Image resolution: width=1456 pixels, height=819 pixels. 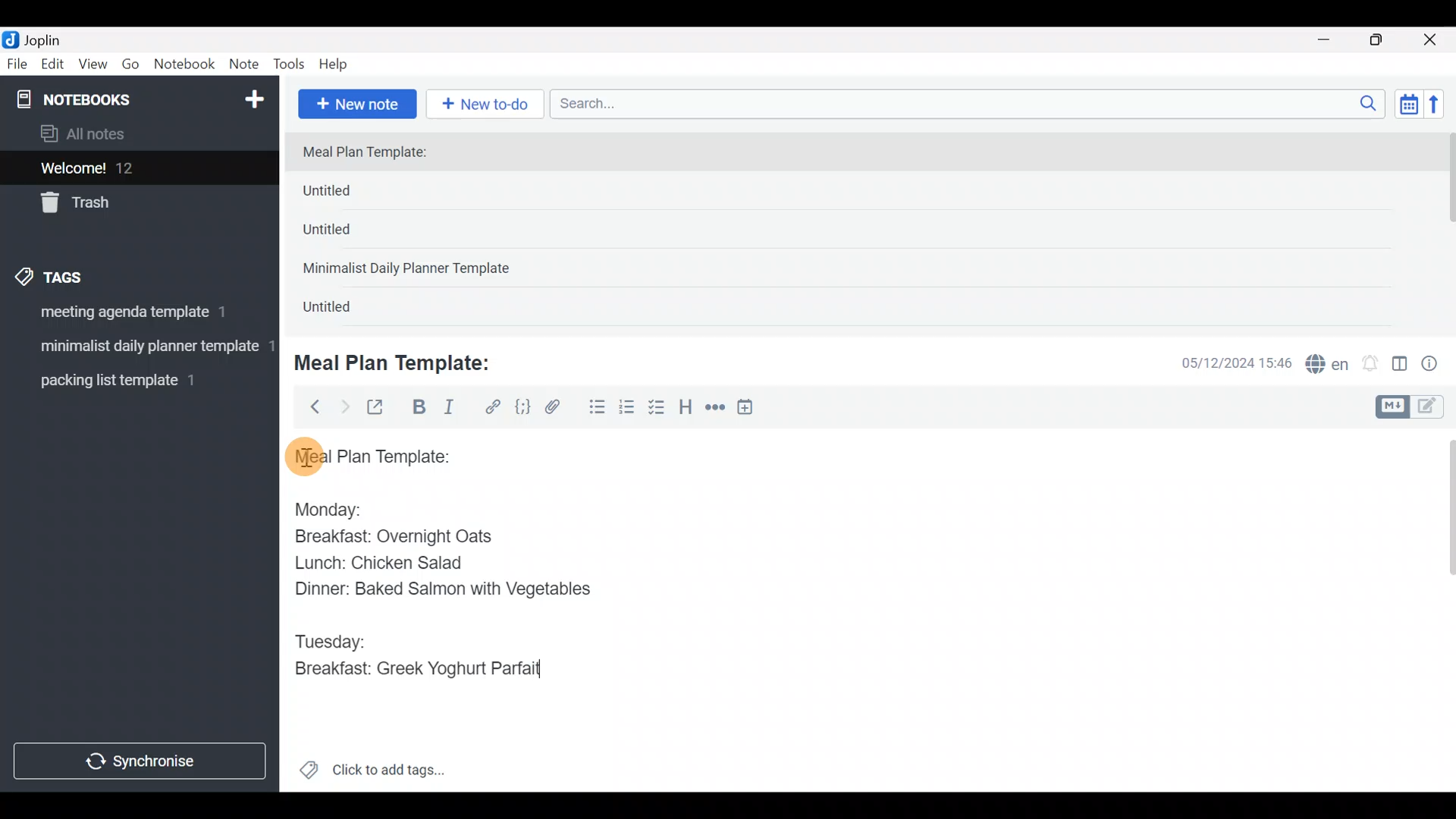 What do you see at coordinates (137, 169) in the screenshot?
I see `Welcome!` at bounding box center [137, 169].